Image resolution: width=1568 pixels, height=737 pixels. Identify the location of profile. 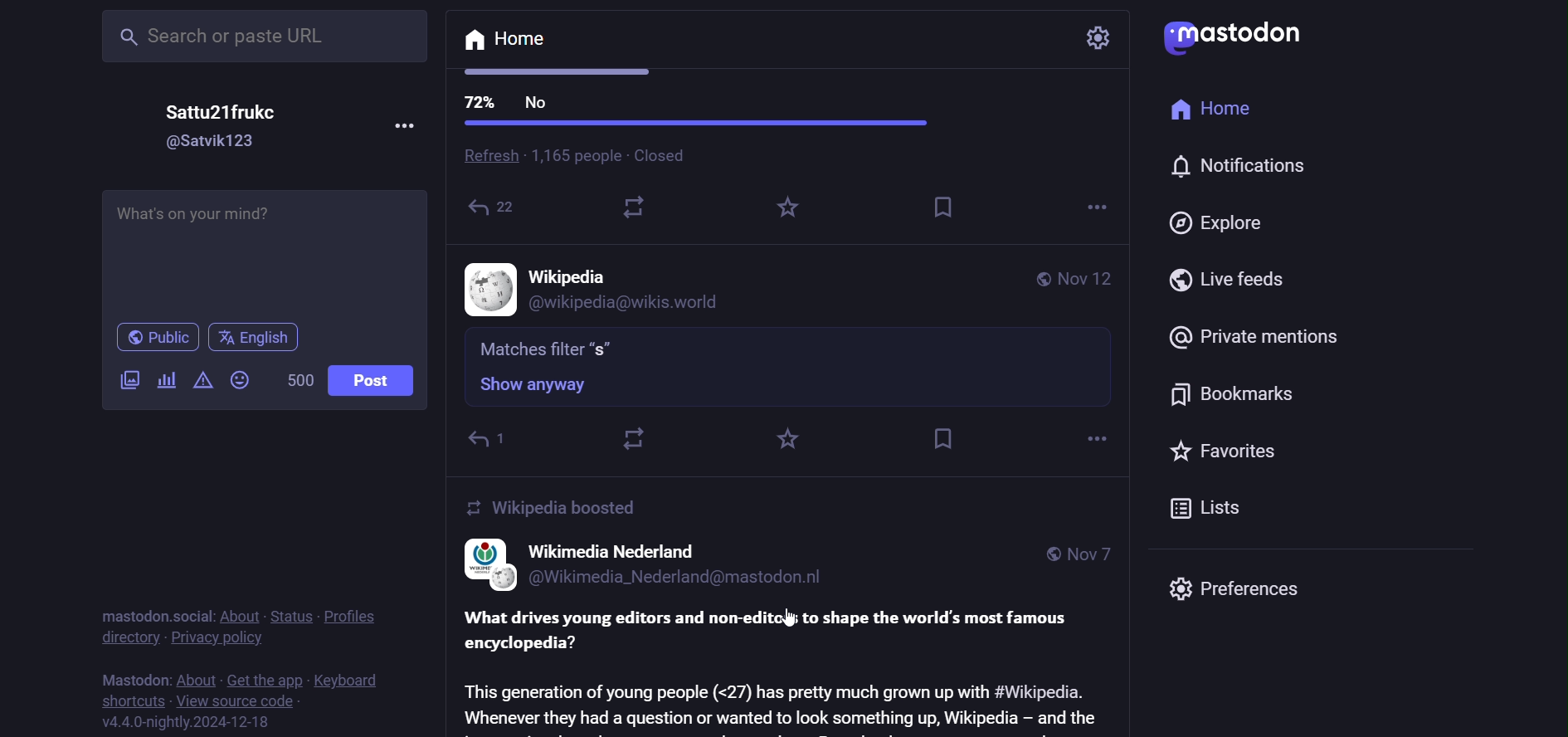
(350, 616).